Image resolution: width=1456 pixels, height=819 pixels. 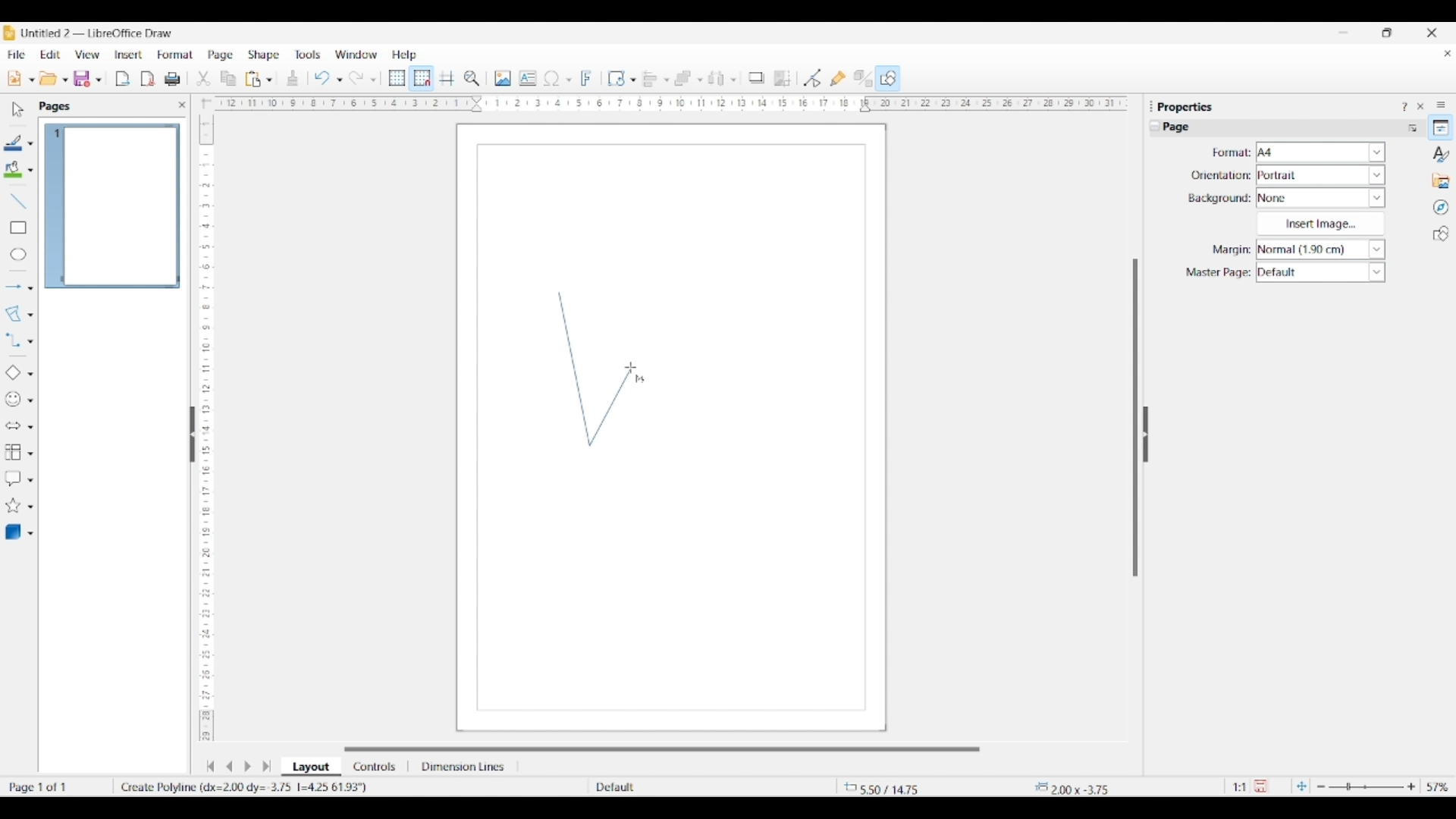 I want to click on Shapes, so click(x=1441, y=234).